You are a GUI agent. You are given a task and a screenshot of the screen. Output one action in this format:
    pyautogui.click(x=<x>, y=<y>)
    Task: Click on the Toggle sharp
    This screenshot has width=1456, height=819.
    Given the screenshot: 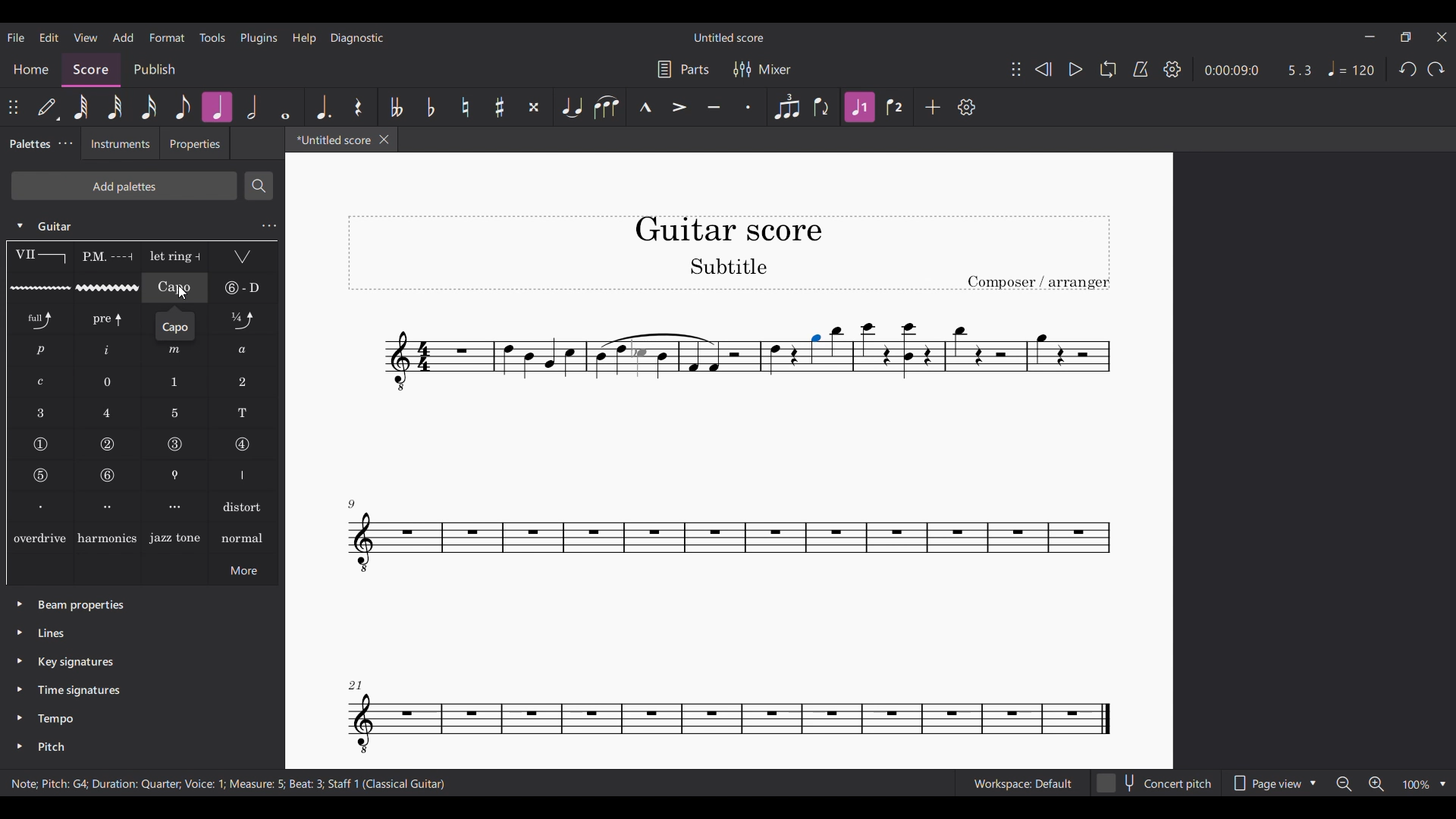 What is the action you would take?
    pyautogui.click(x=500, y=107)
    